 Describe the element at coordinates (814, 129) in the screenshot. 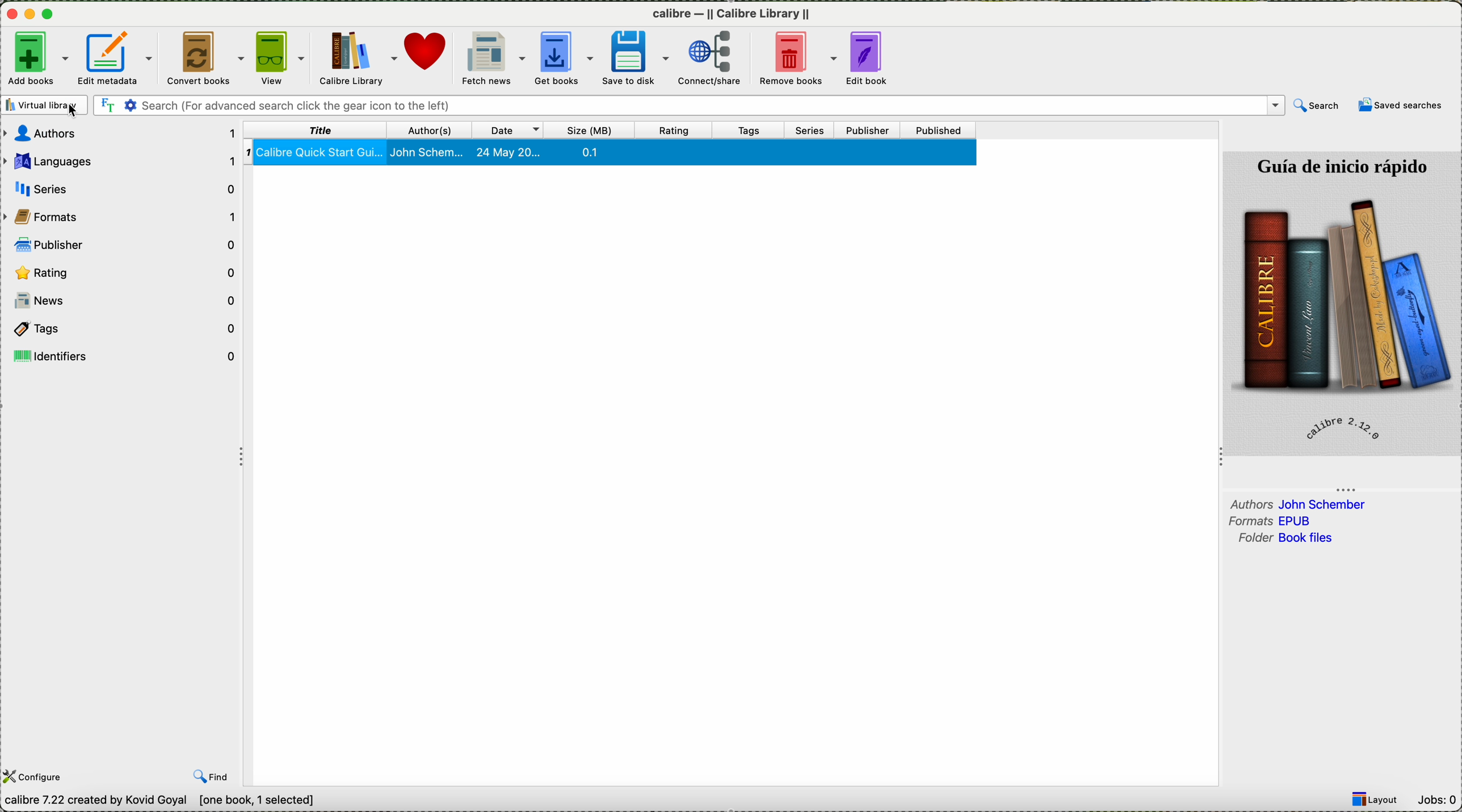

I see `series` at that location.